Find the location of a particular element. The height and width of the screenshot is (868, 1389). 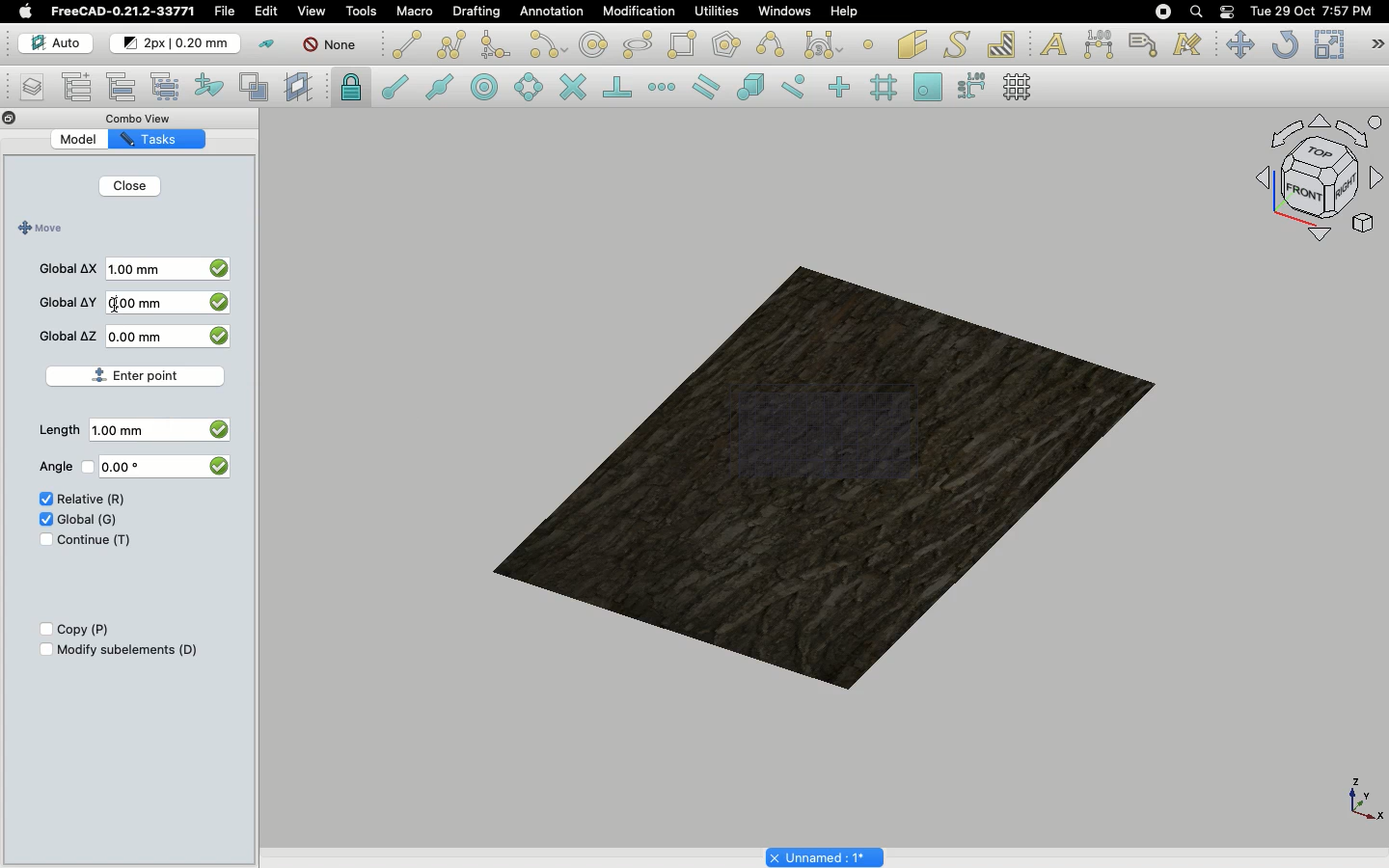

Utilities is located at coordinates (717, 12).